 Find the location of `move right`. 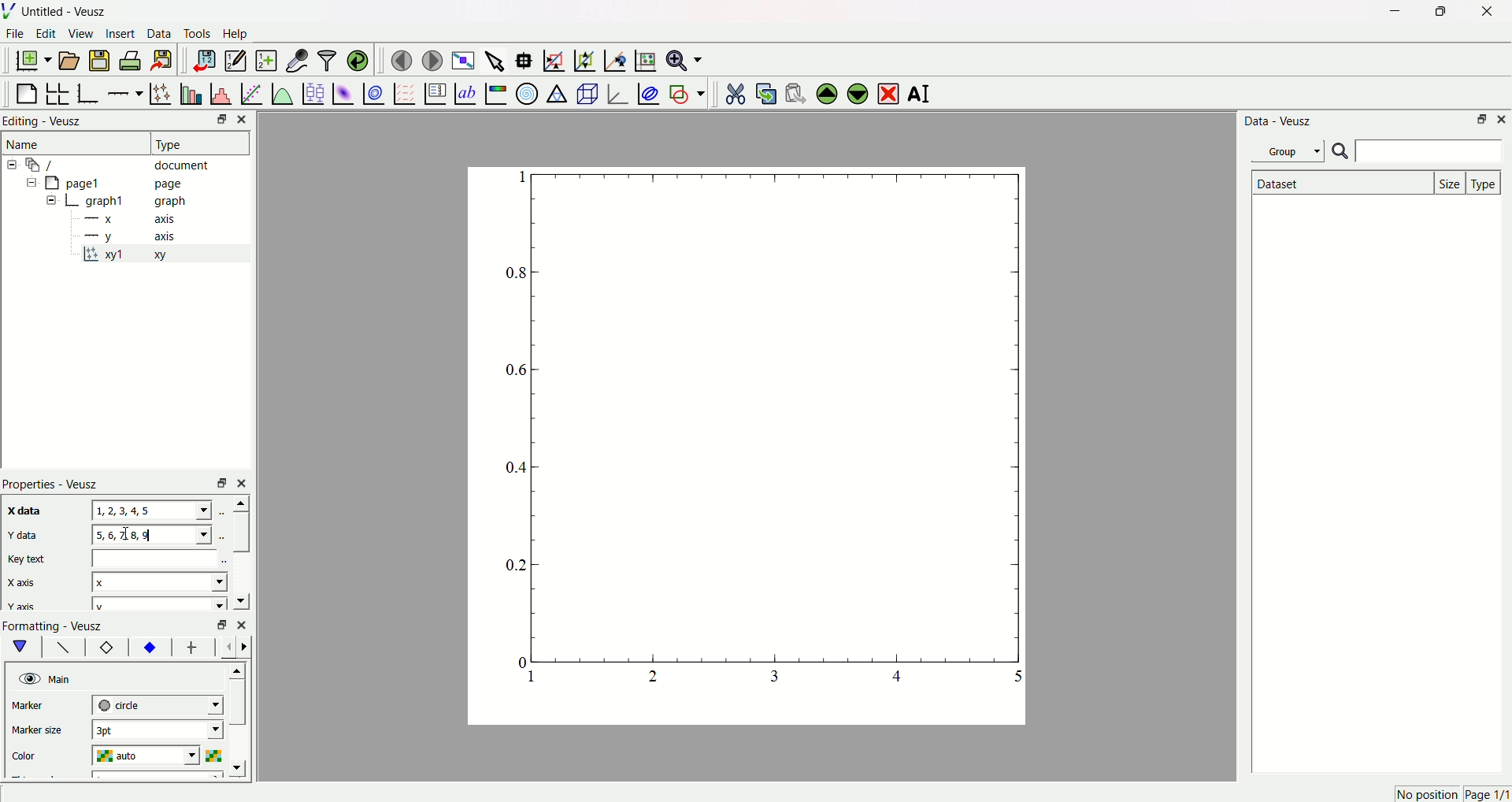

move right is located at coordinates (248, 646).